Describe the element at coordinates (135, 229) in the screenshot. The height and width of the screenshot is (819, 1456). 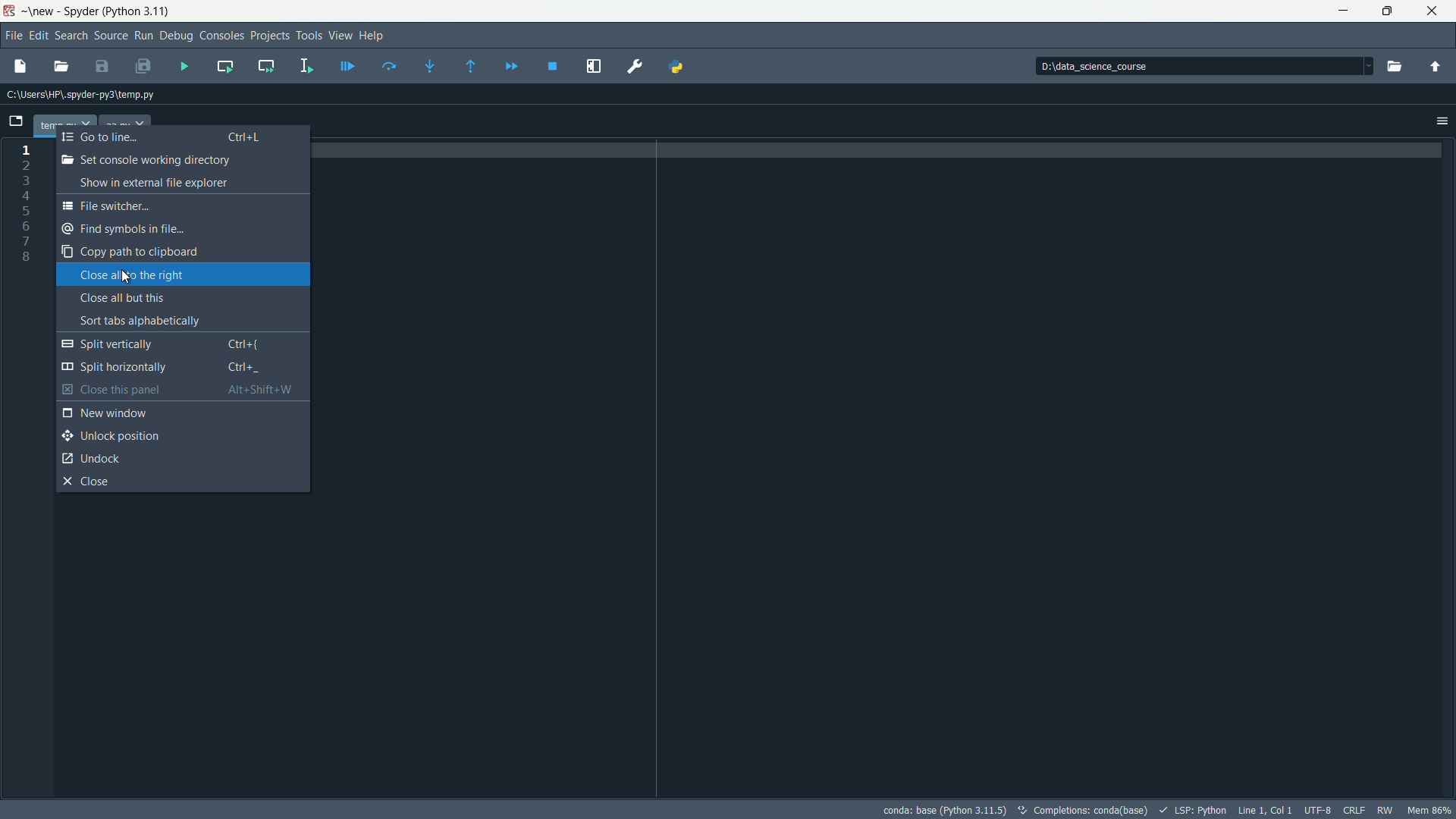
I see `find symbols in file` at that location.